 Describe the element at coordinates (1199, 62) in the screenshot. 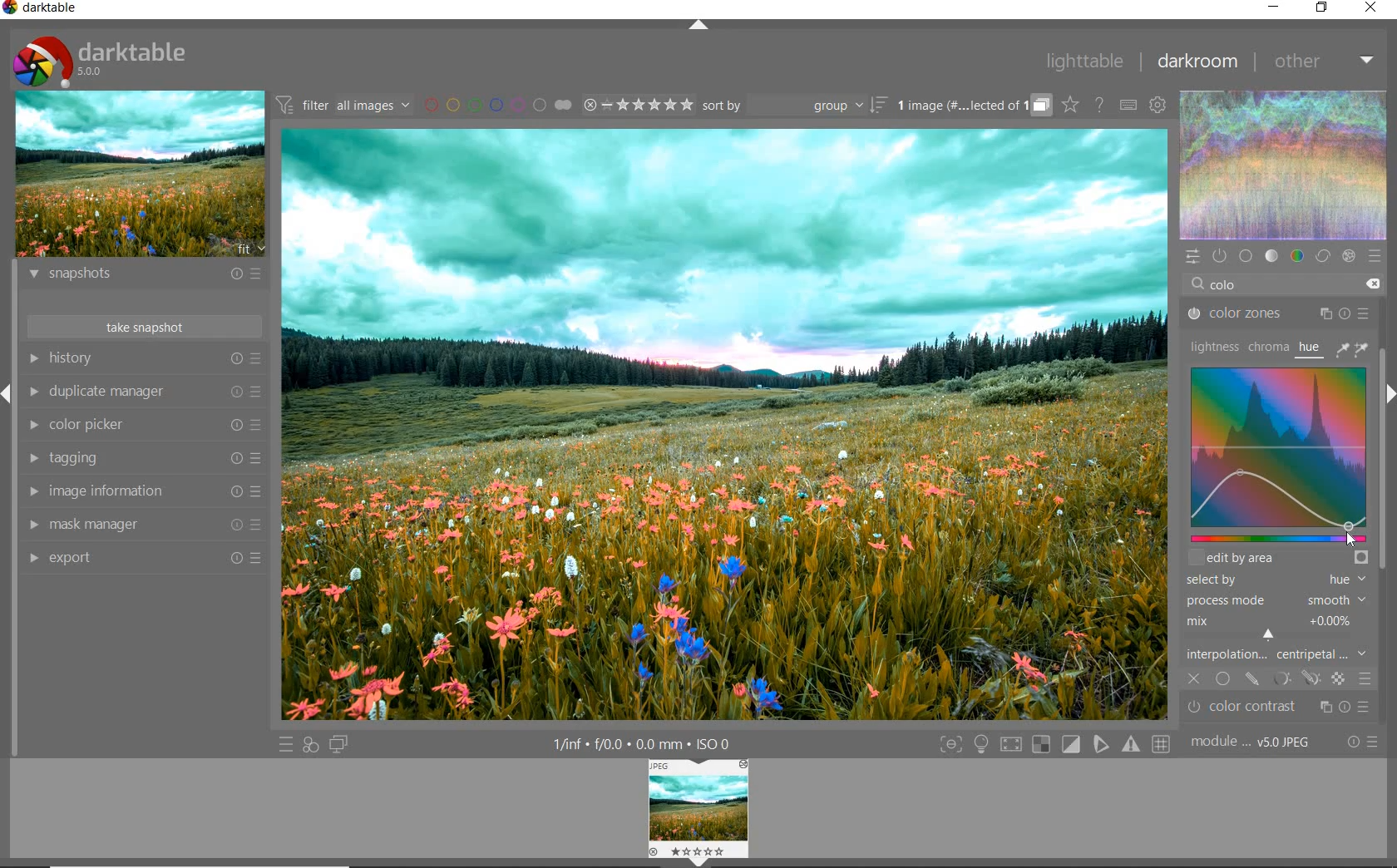

I see `darkroom` at that location.